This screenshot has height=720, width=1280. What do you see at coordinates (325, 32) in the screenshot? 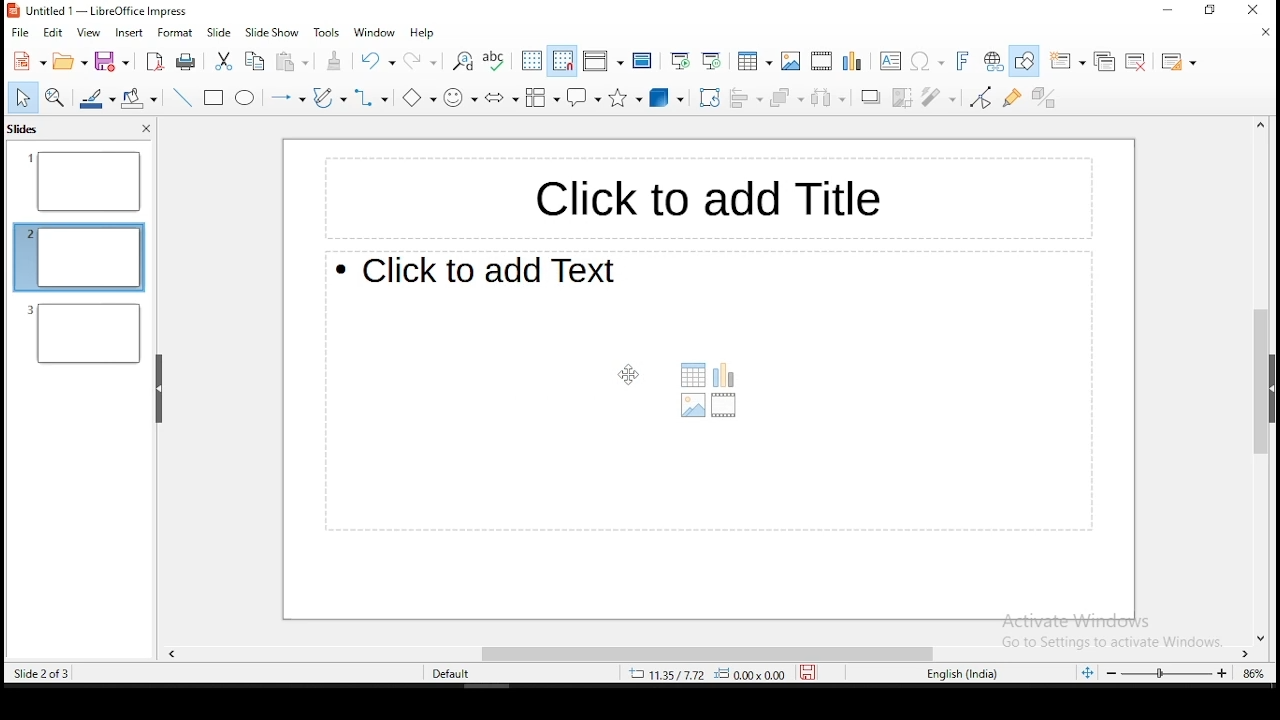
I see `tools` at bounding box center [325, 32].